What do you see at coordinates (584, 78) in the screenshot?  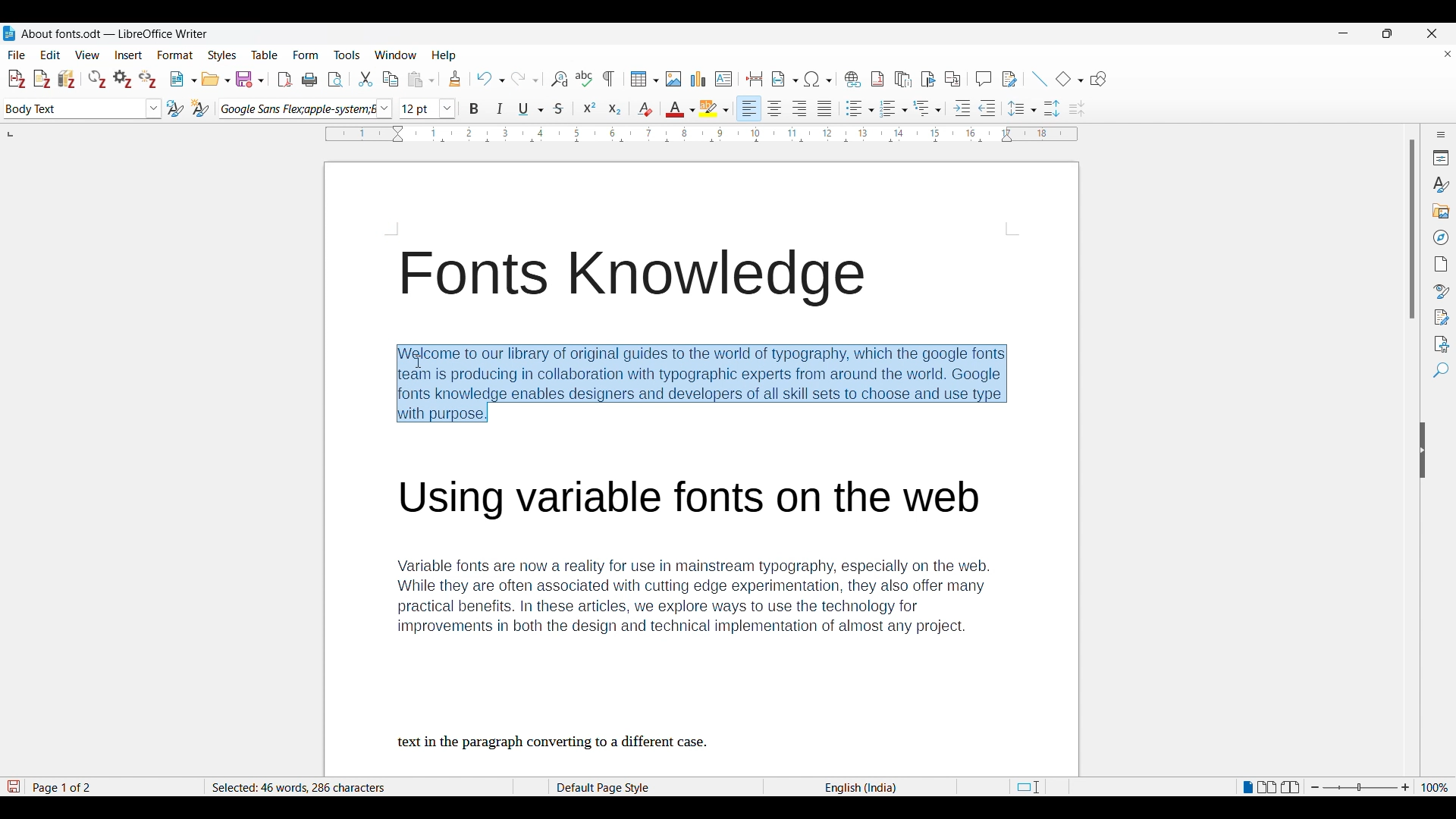 I see `Spell check` at bounding box center [584, 78].